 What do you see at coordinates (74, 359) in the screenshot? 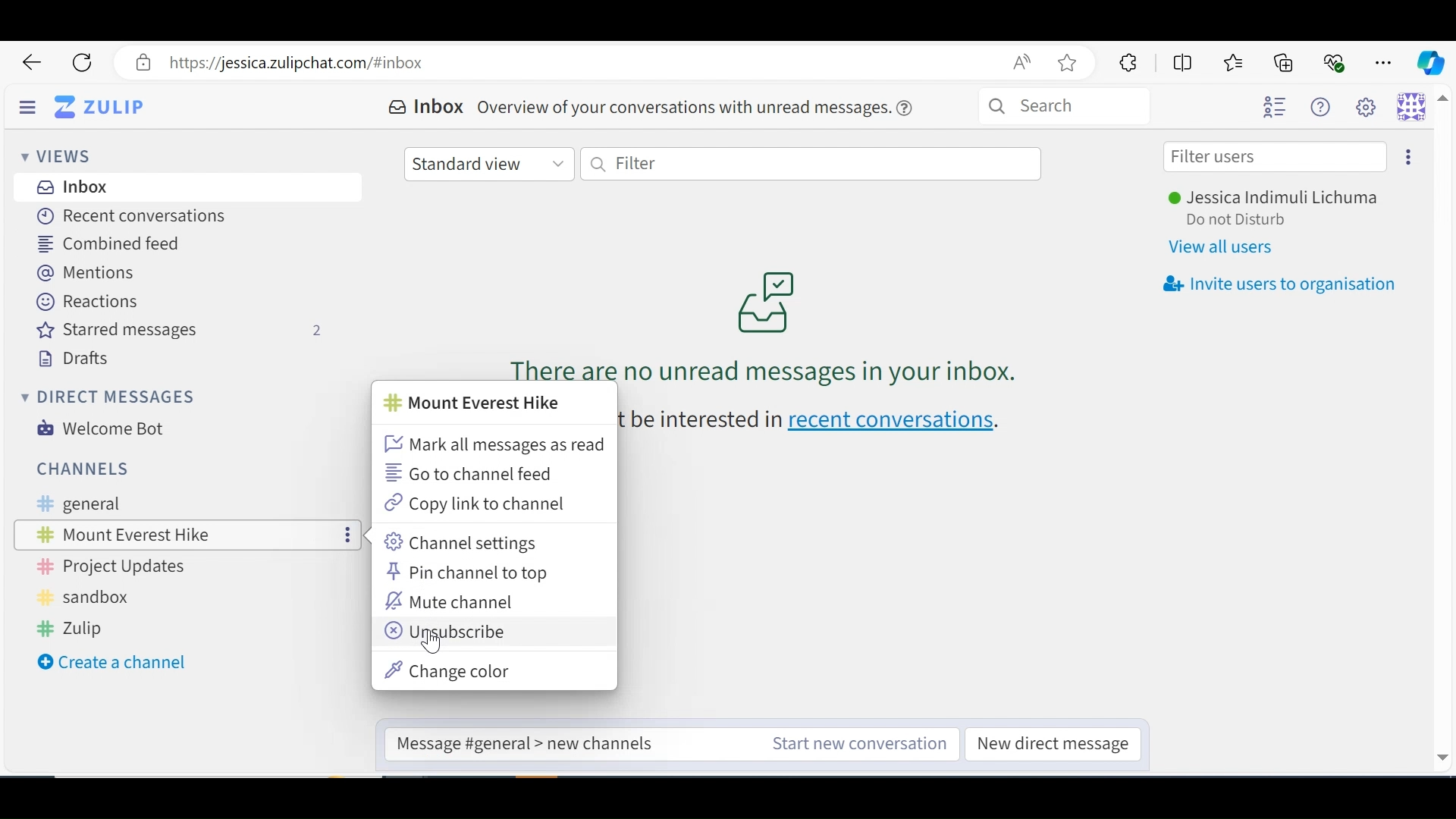
I see `Drafts` at bounding box center [74, 359].